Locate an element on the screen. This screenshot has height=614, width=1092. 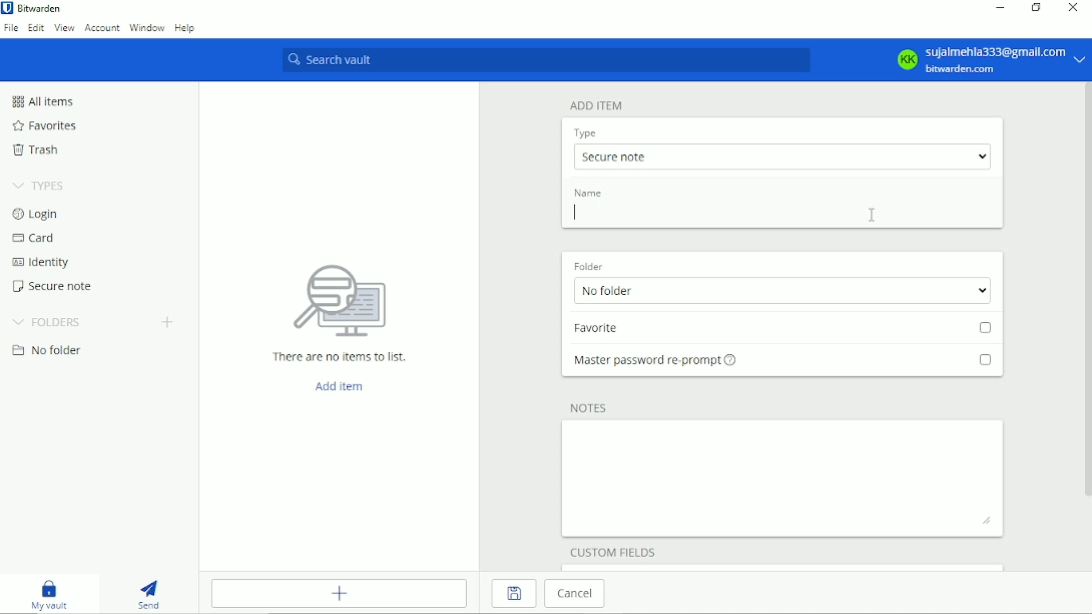
Create folder is located at coordinates (167, 321).